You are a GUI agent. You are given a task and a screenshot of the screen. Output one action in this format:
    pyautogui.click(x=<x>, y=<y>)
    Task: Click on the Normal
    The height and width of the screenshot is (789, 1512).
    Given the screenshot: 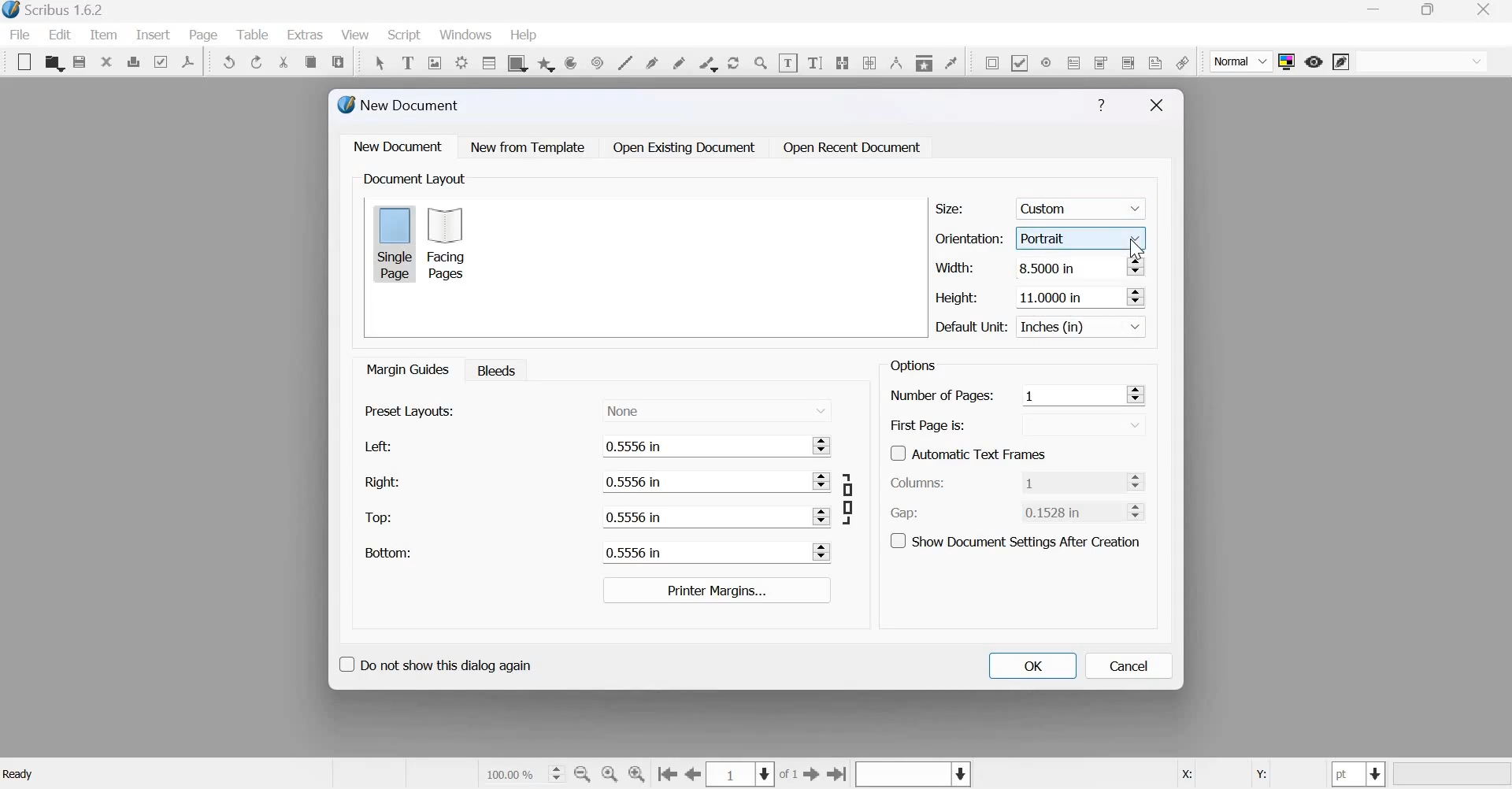 What is the action you would take?
    pyautogui.click(x=1242, y=62)
    